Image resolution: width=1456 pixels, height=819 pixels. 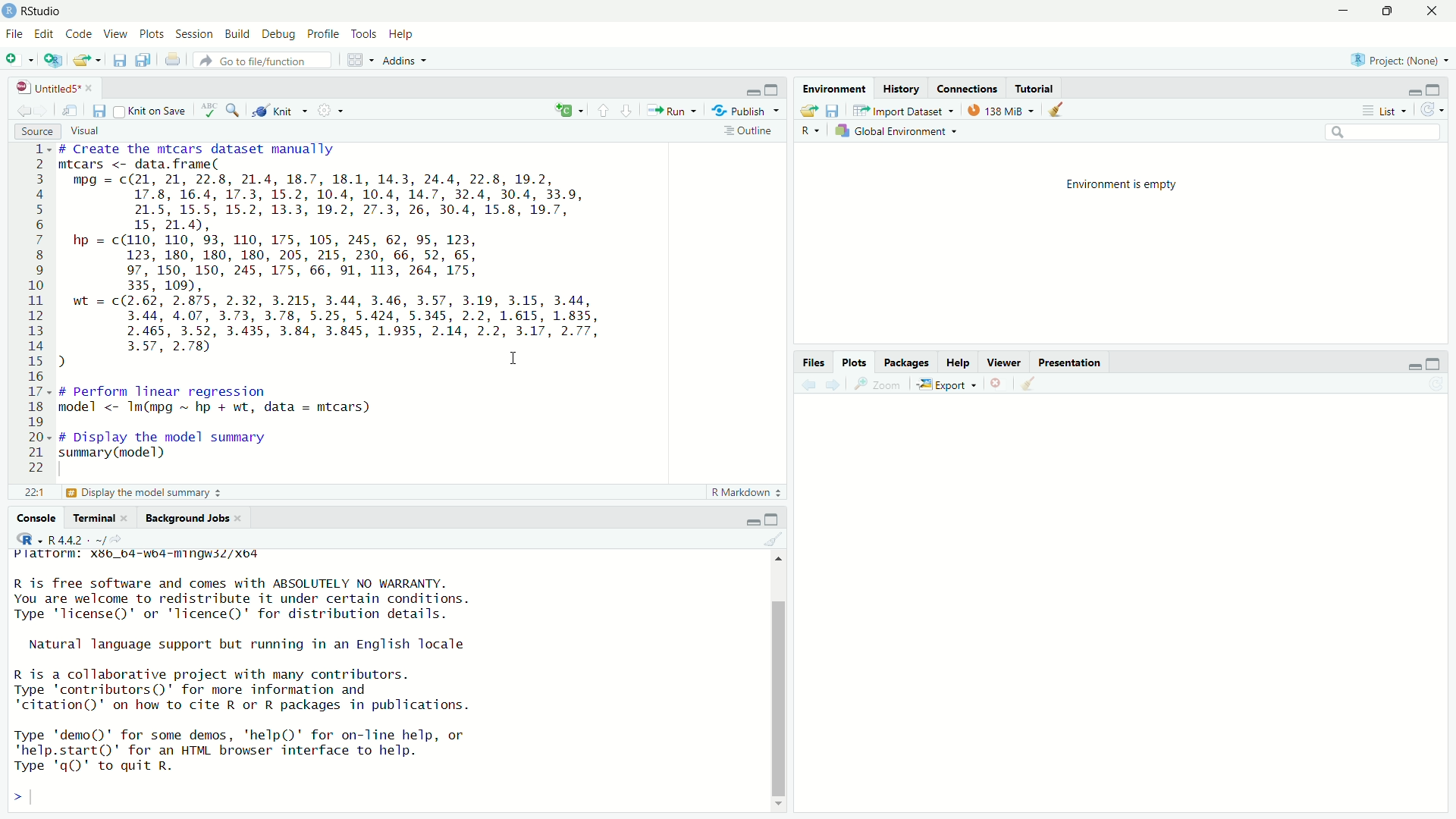 I want to click on list, so click(x=1389, y=111).